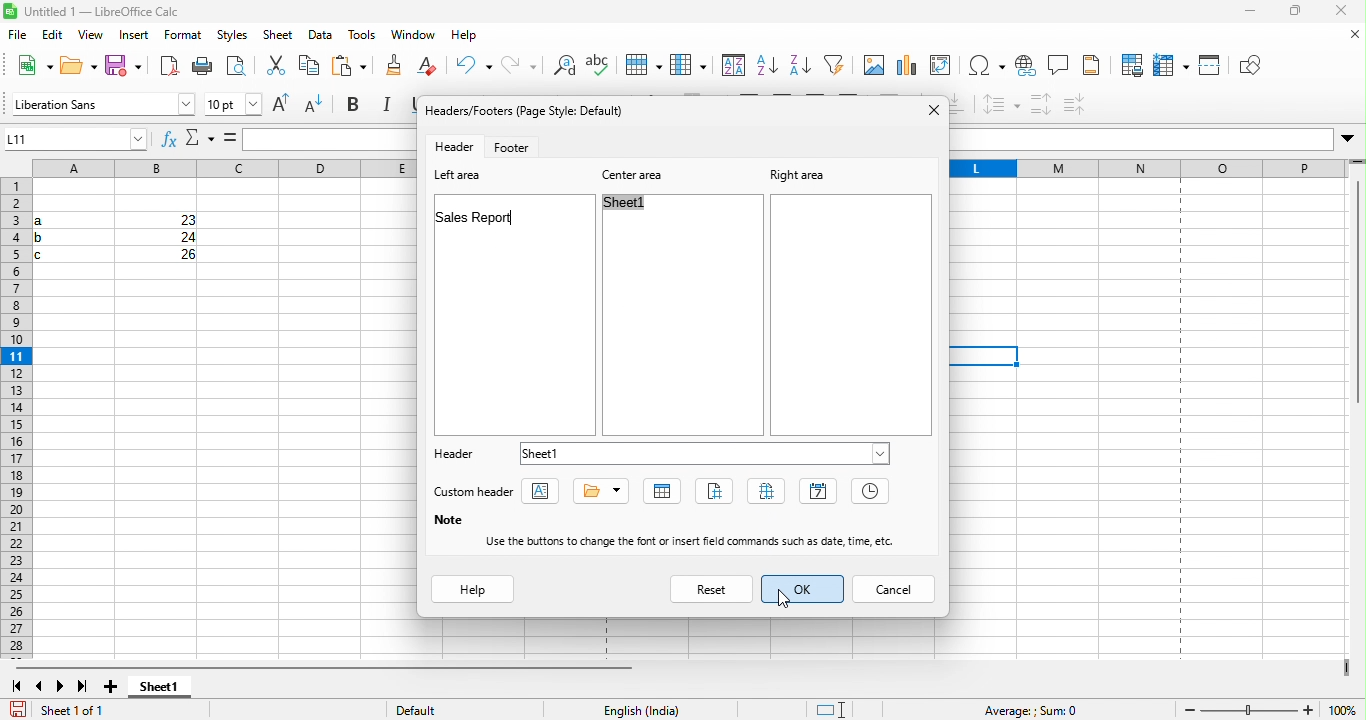 Image resolution: width=1366 pixels, height=720 pixels. Describe the element at coordinates (317, 106) in the screenshot. I see `decrease font size` at that location.